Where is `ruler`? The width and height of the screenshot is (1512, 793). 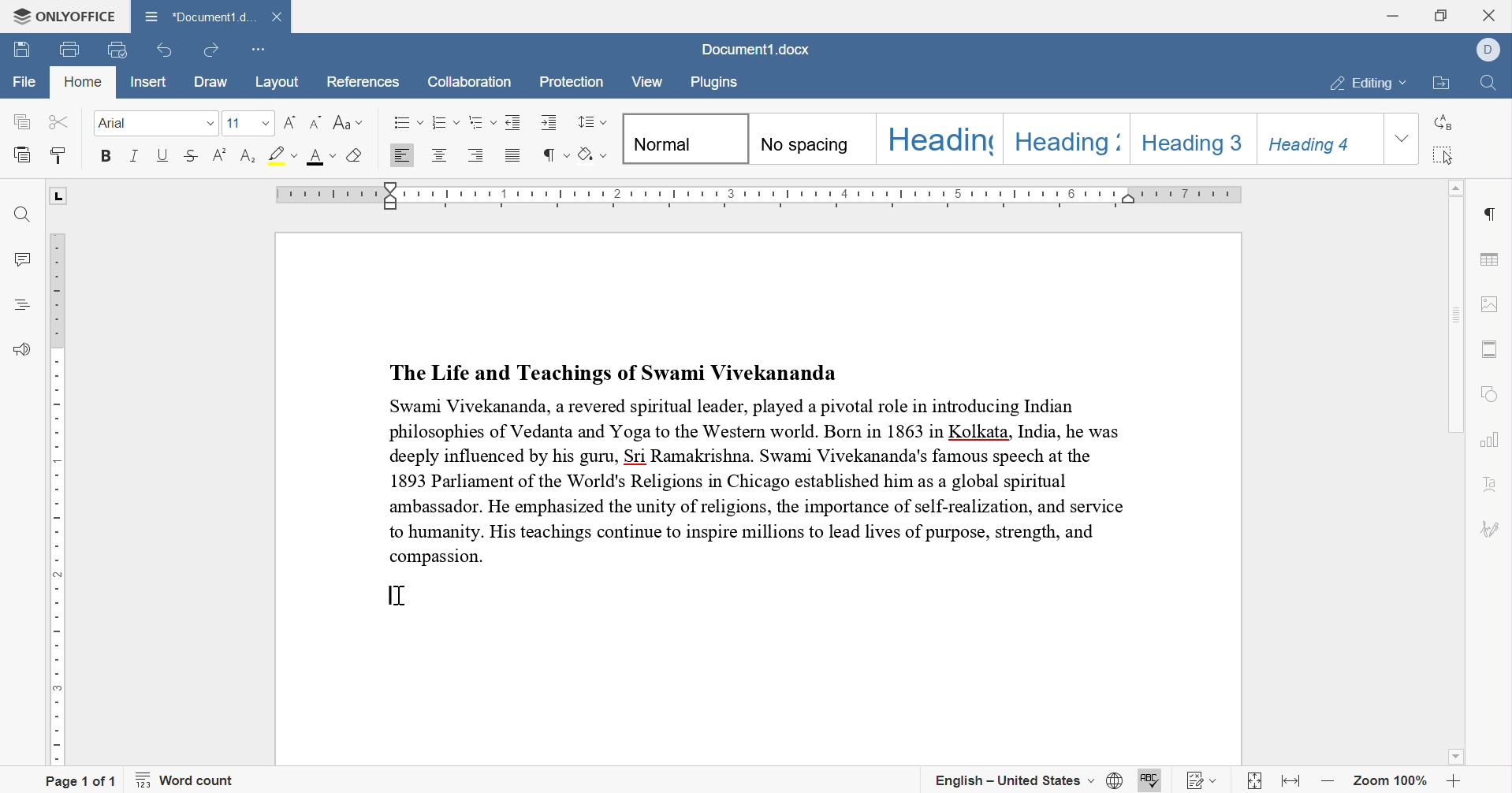
ruler is located at coordinates (62, 498).